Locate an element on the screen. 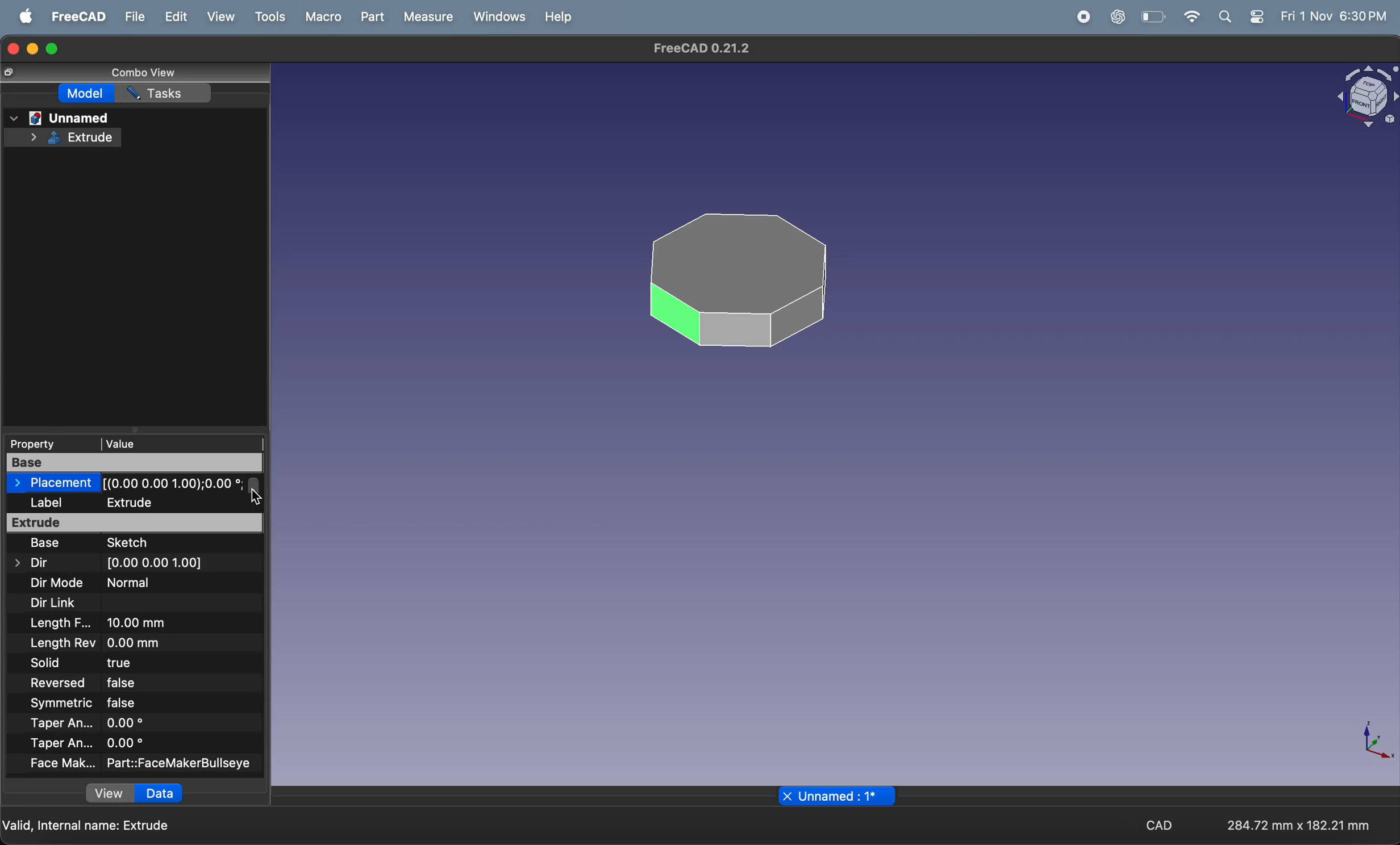  label is located at coordinates (52, 504).